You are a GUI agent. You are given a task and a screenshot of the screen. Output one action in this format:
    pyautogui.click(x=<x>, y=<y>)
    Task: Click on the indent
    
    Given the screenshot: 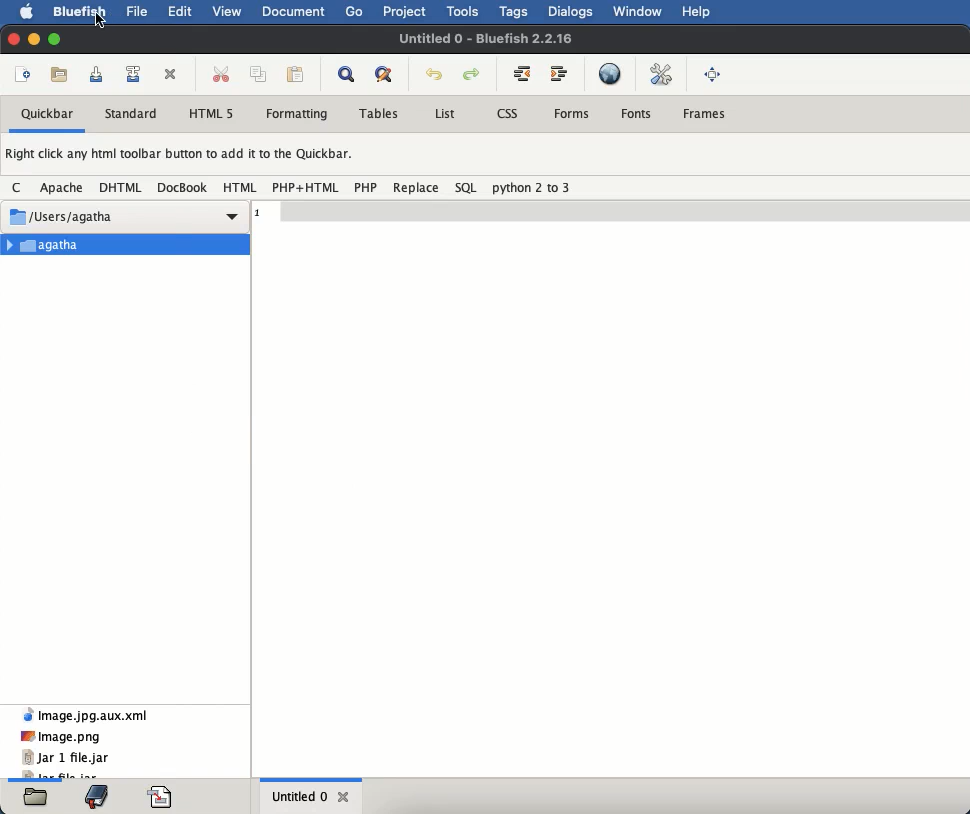 What is the action you would take?
    pyautogui.click(x=563, y=73)
    